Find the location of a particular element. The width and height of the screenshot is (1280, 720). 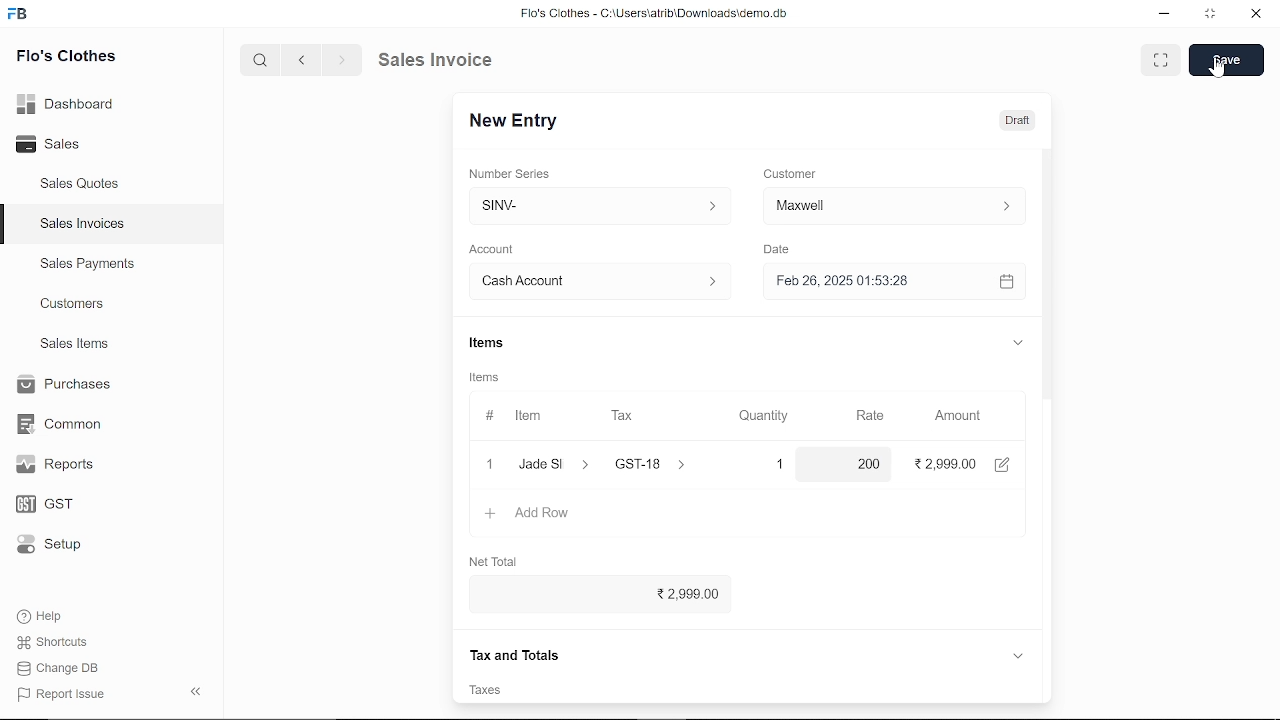

Item is located at coordinates (517, 417).